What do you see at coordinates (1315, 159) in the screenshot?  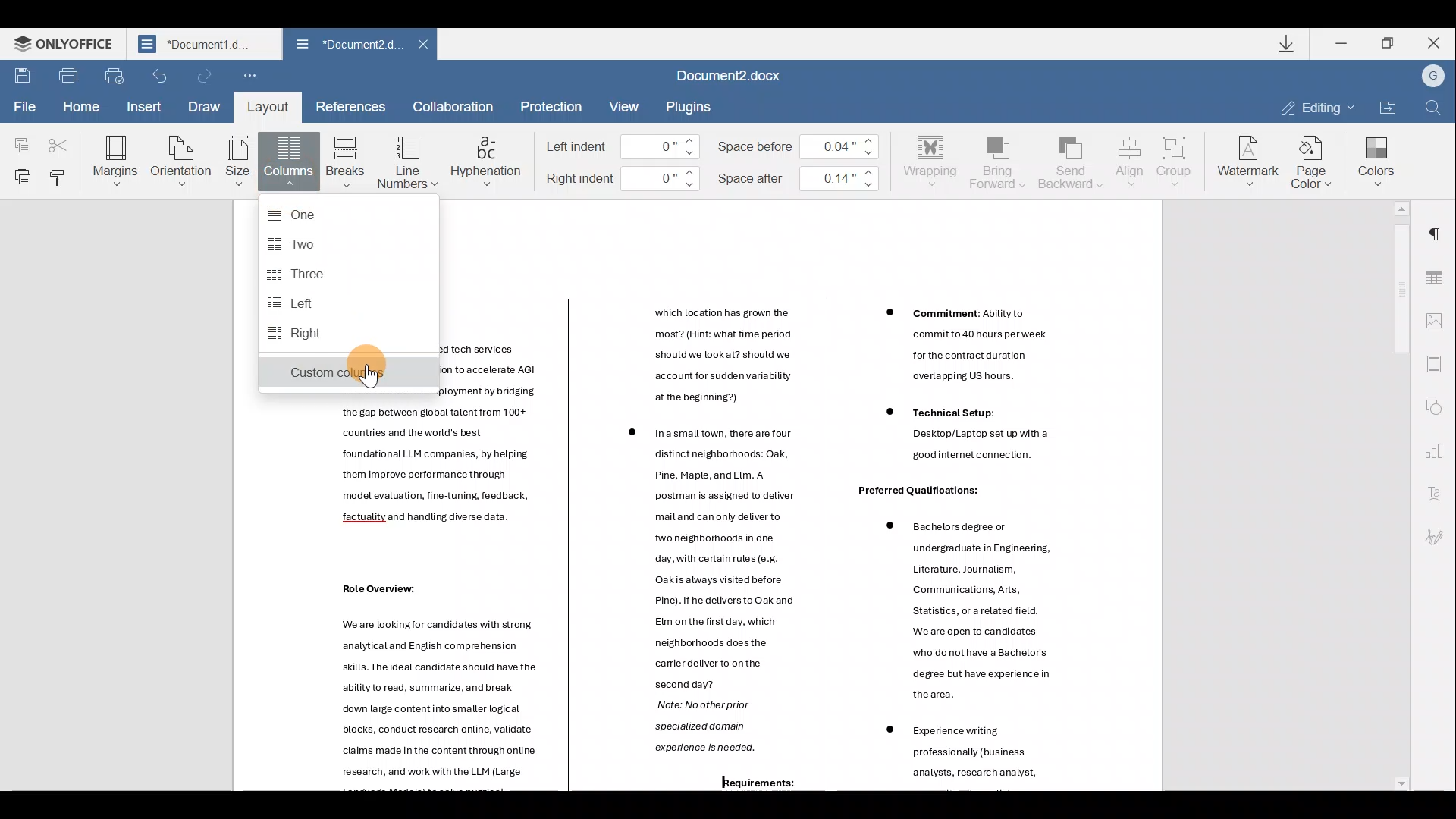 I see `Page color` at bounding box center [1315, 159].